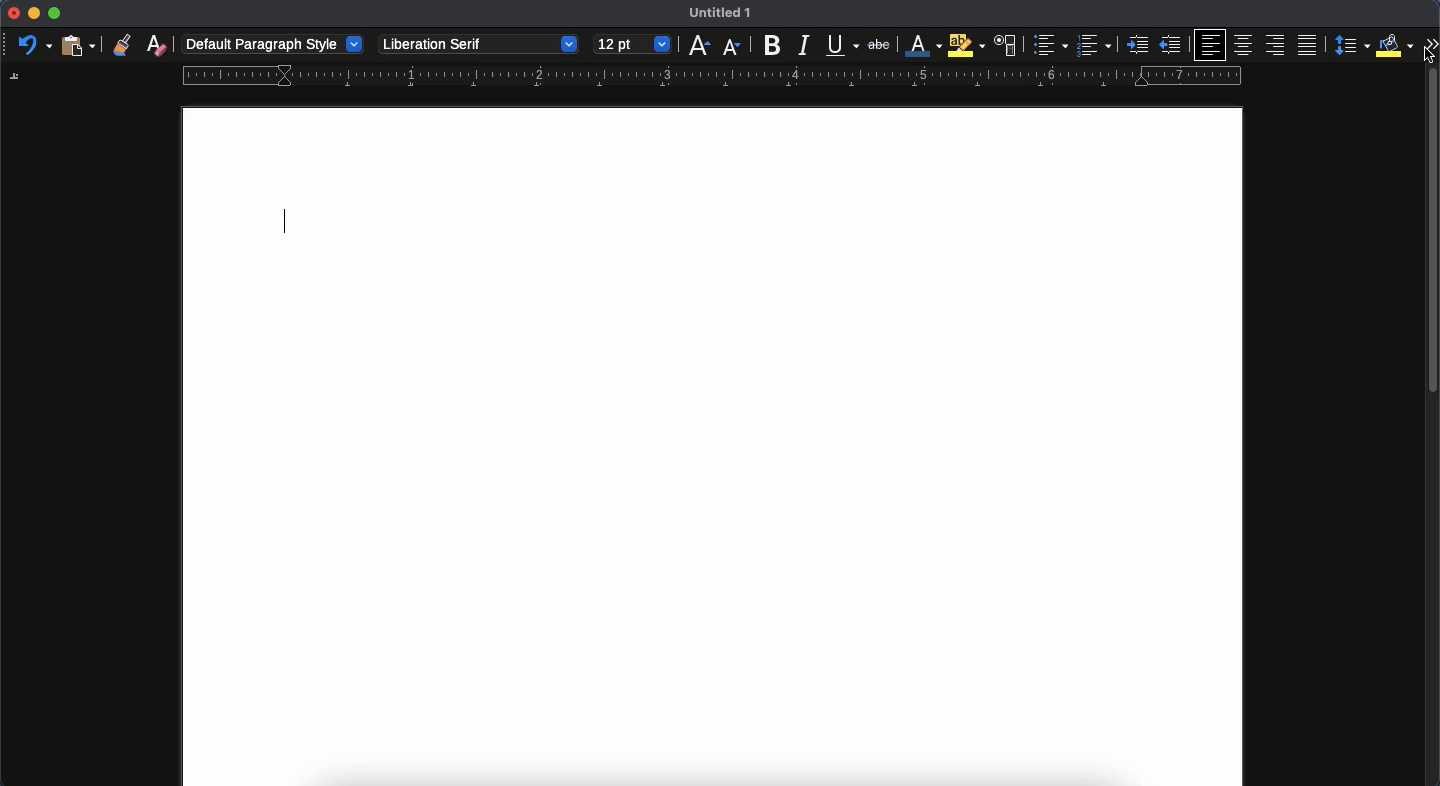 The image size is (1440, 786). Describe the element at coordinates (632, 46) in the screenshot. I see `12 pt - size` at that location.